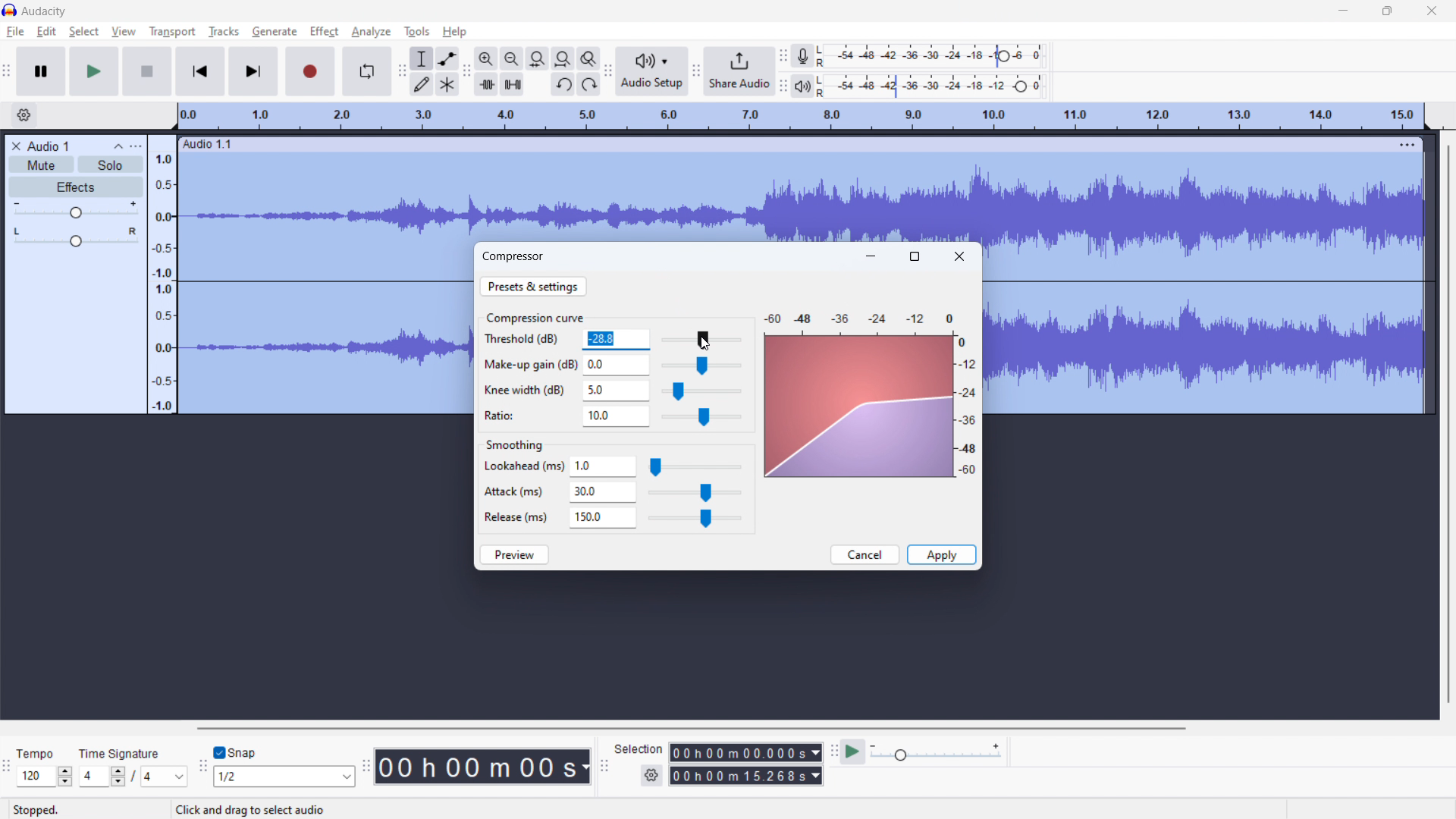  Describe the element at coordinates (941, 555) in the screenshot. I see `apply` at that location.